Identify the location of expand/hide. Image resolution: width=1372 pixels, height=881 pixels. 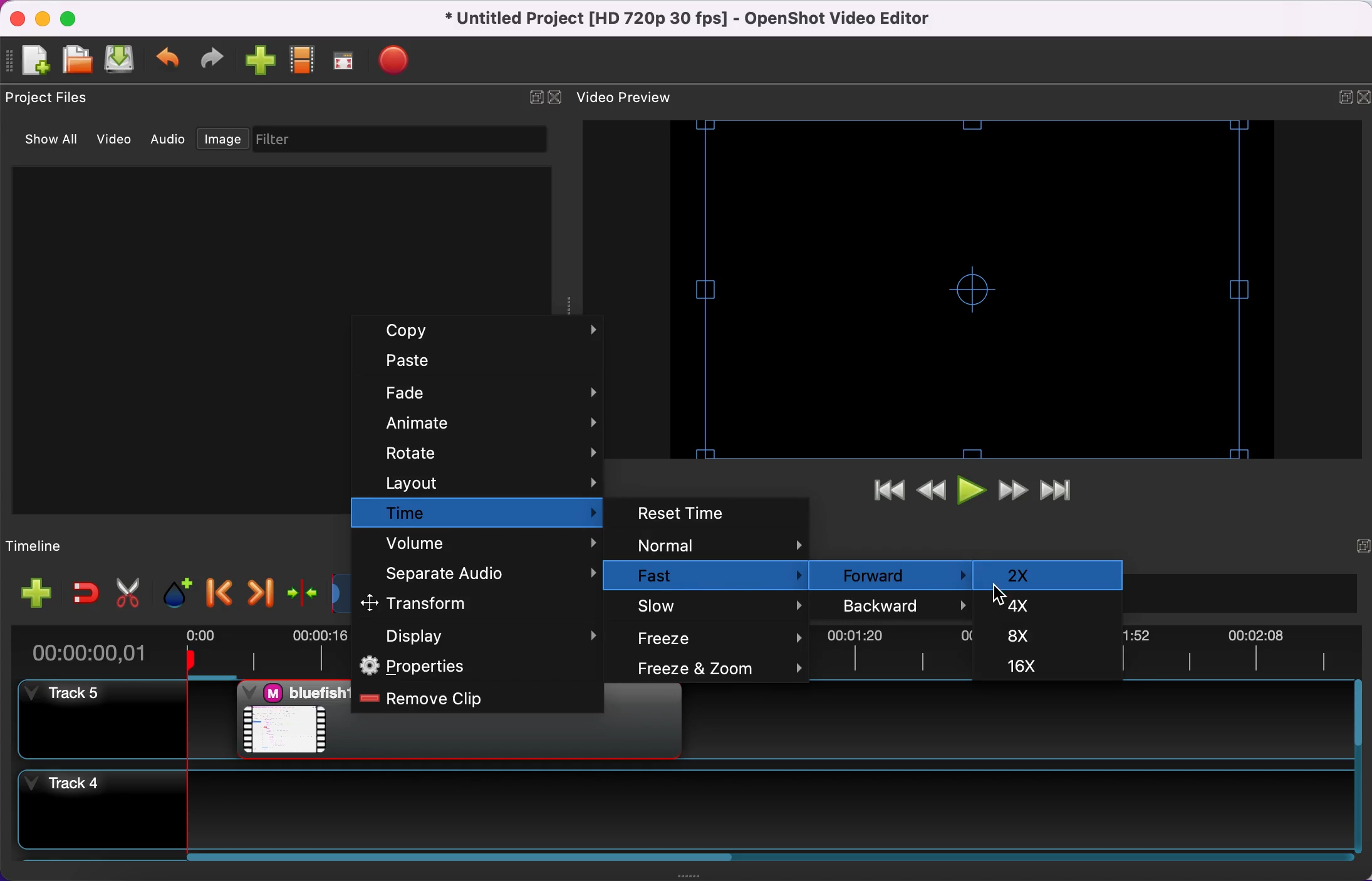
(536, 102).